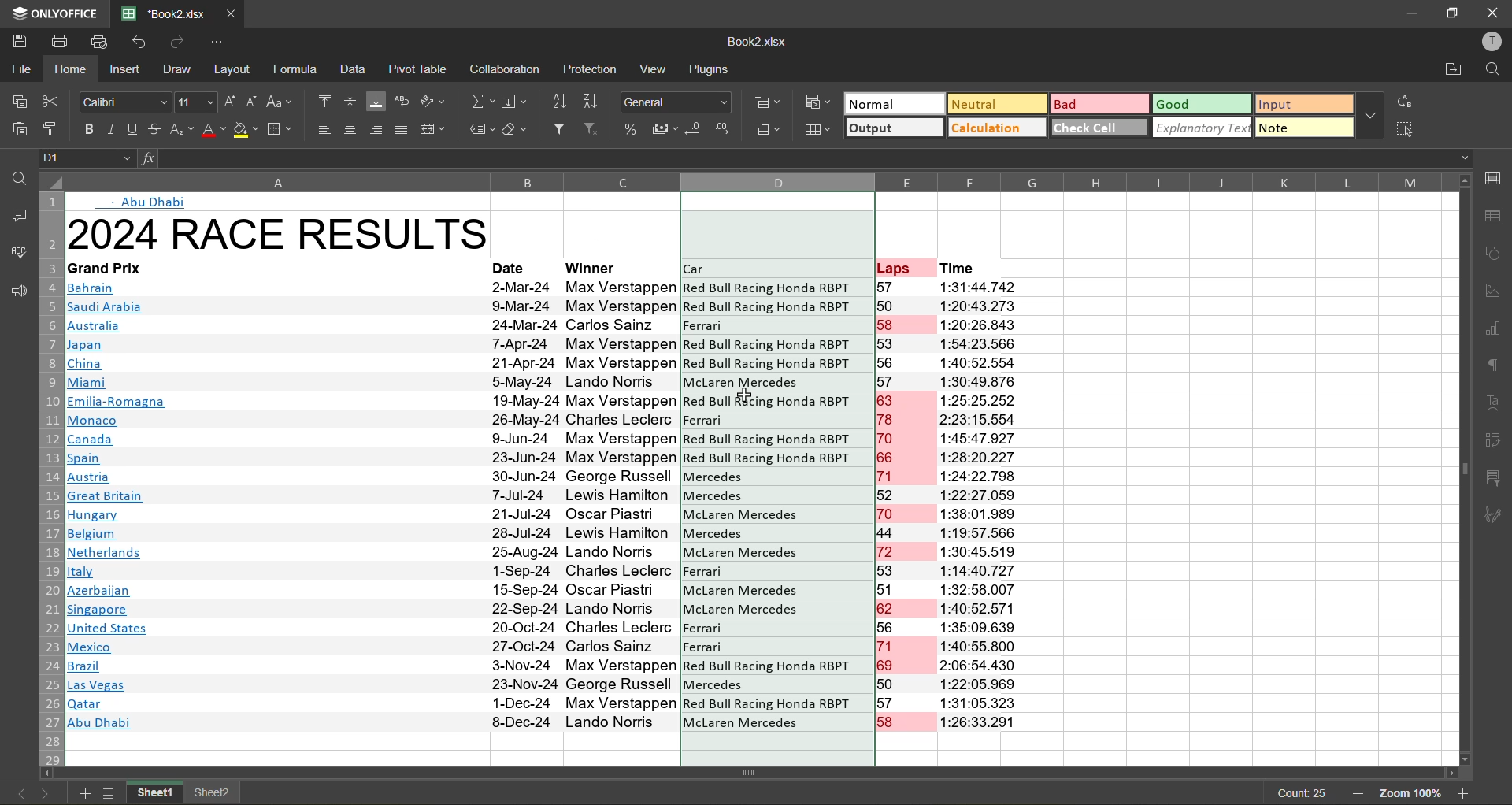 The image size is (1512, 805). I want to click on zoom 100%, so click(1414, 796).